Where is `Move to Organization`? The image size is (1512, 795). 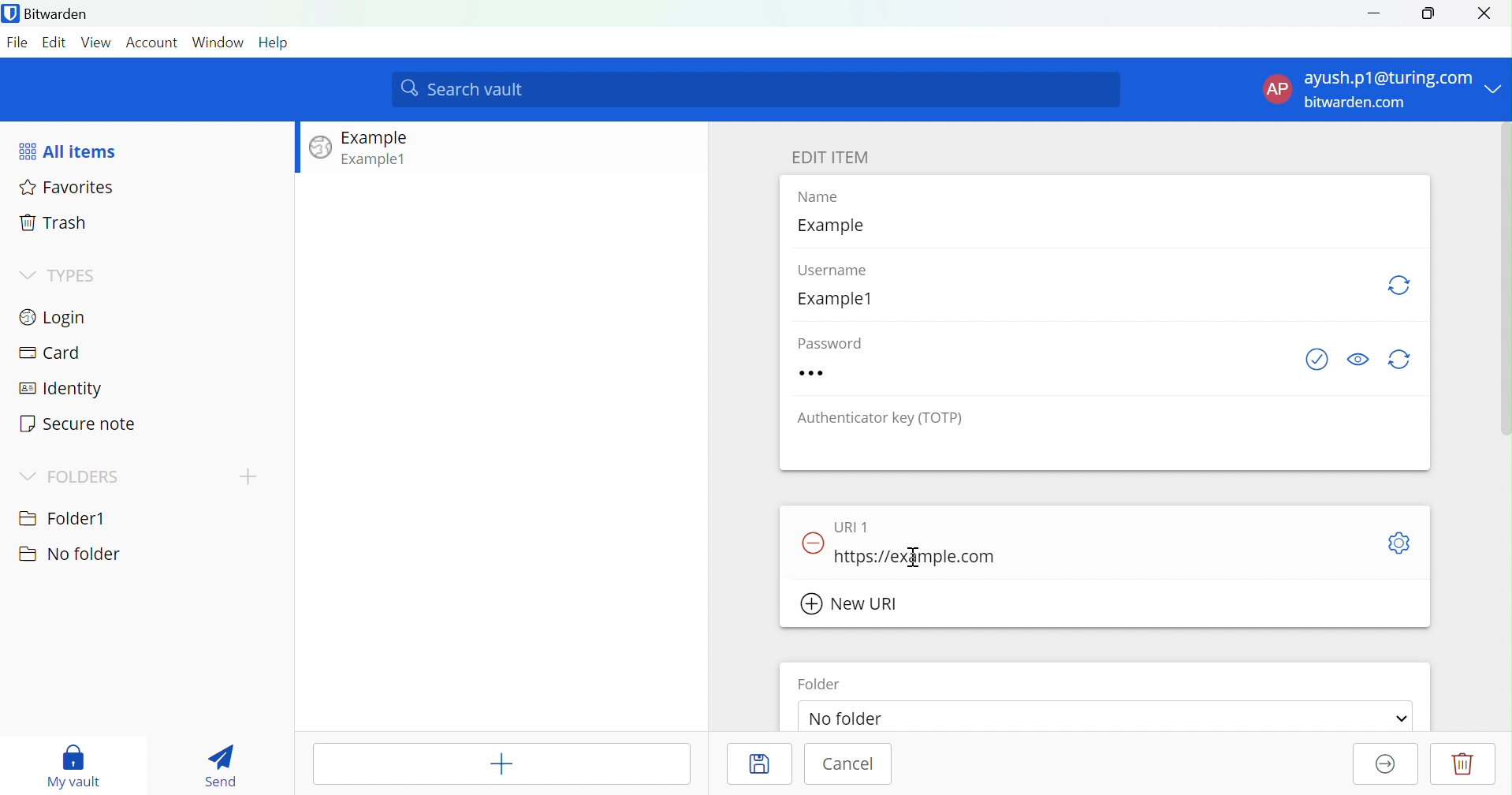 Move to Organization is located at coordinates (1382, 765).